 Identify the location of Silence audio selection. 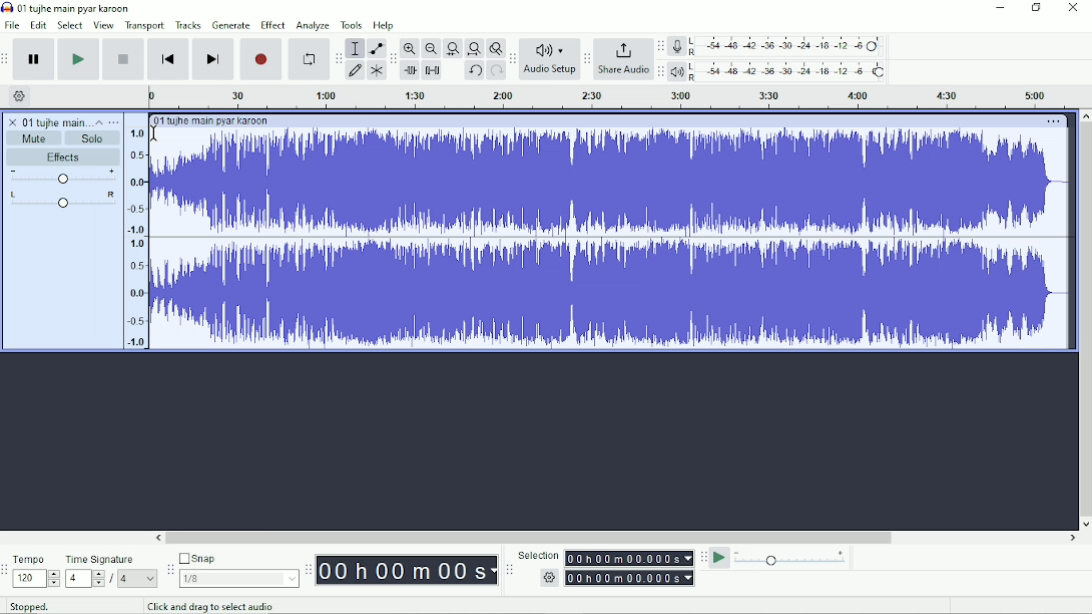
(433, 71).